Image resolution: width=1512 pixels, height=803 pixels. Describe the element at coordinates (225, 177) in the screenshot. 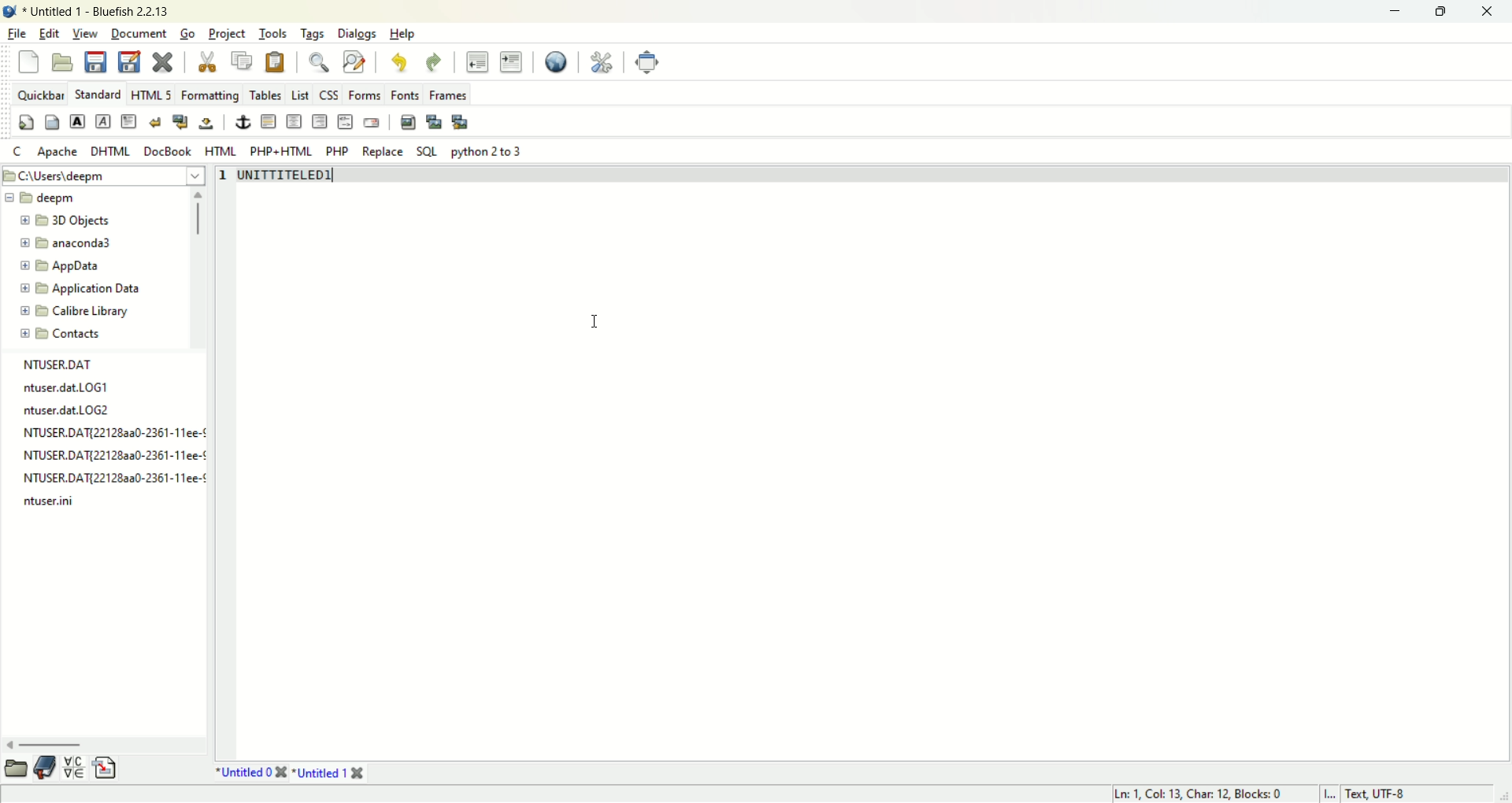

I see `line number` at that location.